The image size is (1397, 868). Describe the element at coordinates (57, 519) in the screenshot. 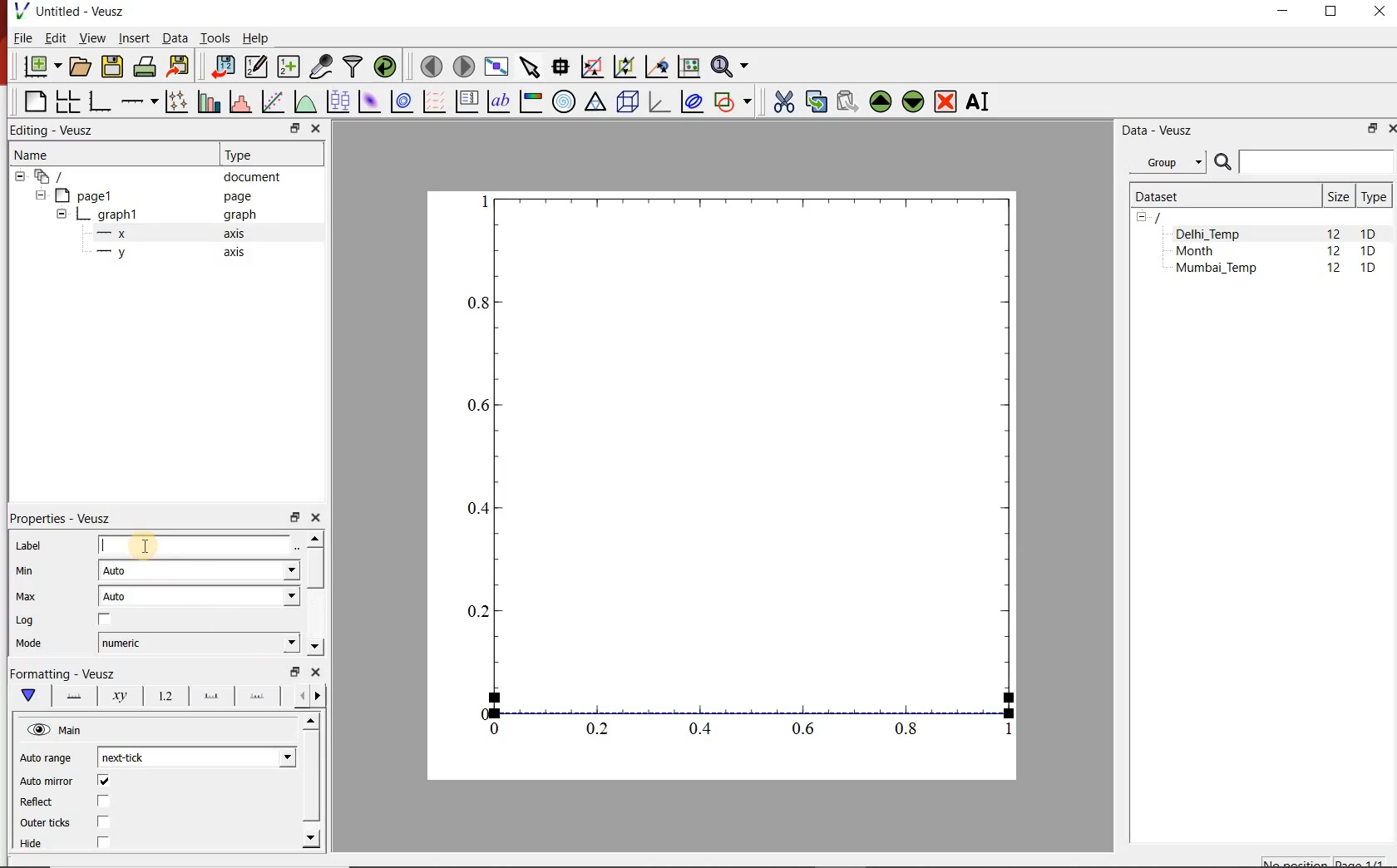

I see `Properties - Veusz` at that location.